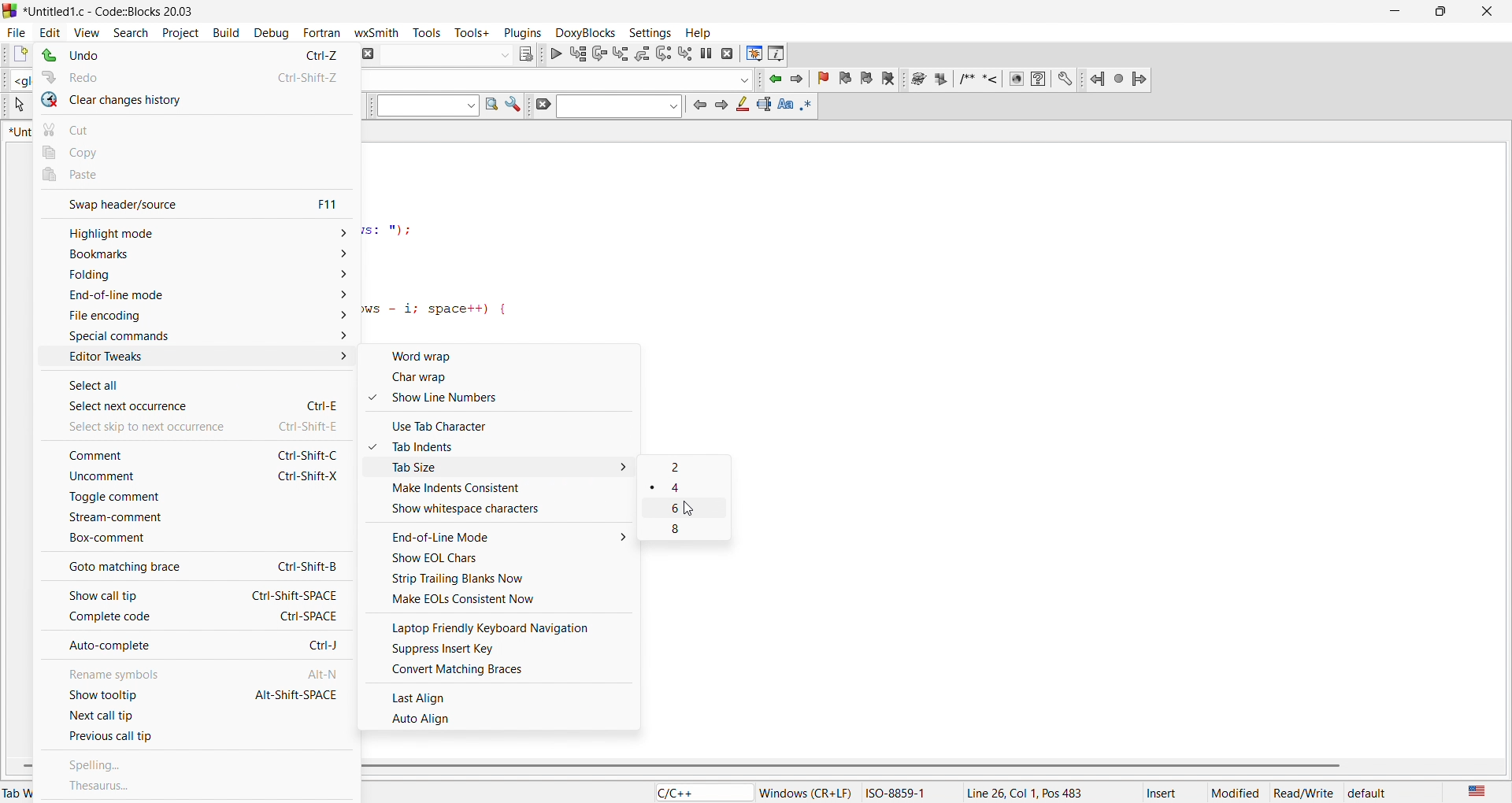  Describe the element at coordinates (144, 647) in the screenshot. I see `auto complete` at that location.